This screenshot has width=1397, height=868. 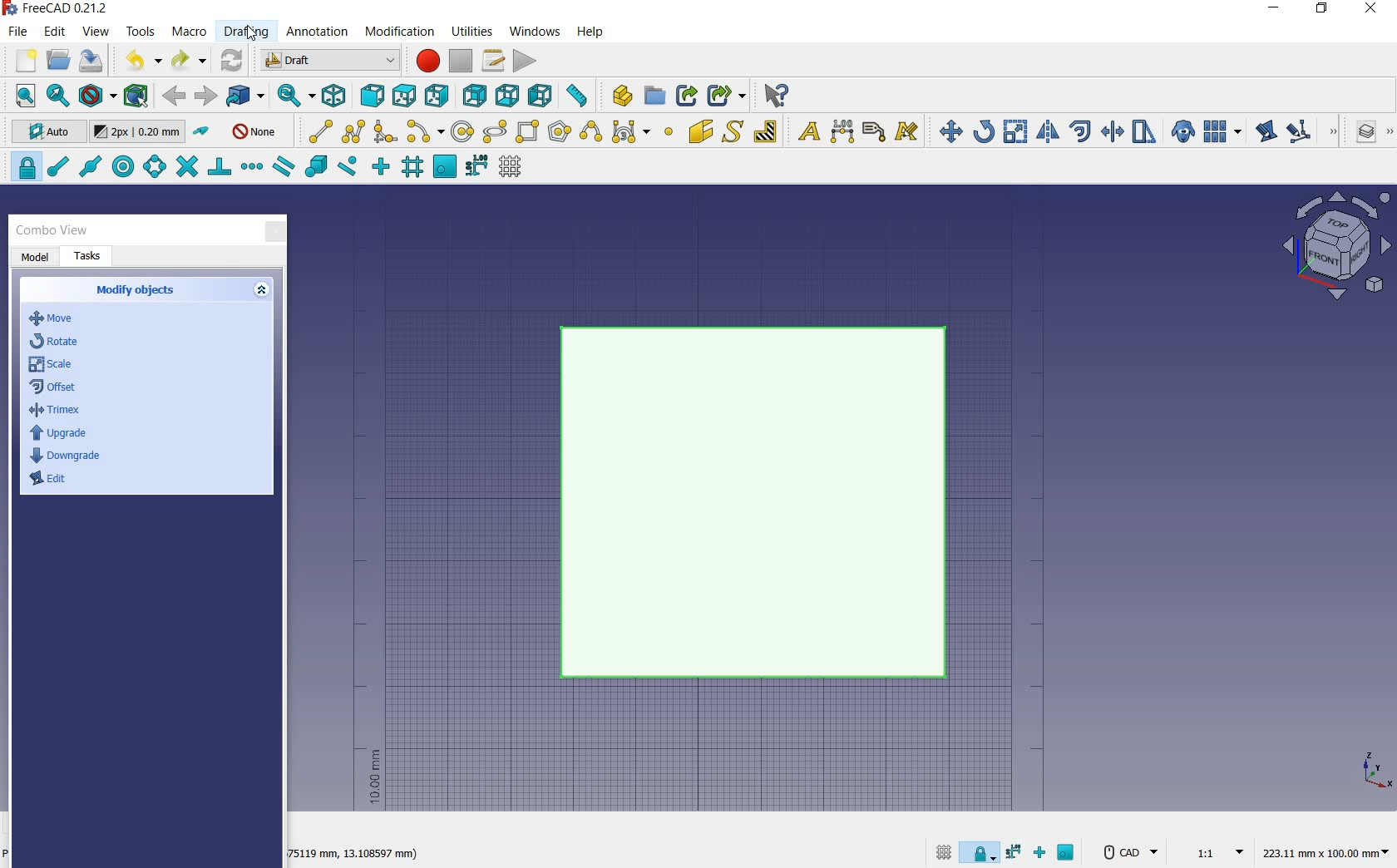 I want to click on text, so click(x=805, y=132).